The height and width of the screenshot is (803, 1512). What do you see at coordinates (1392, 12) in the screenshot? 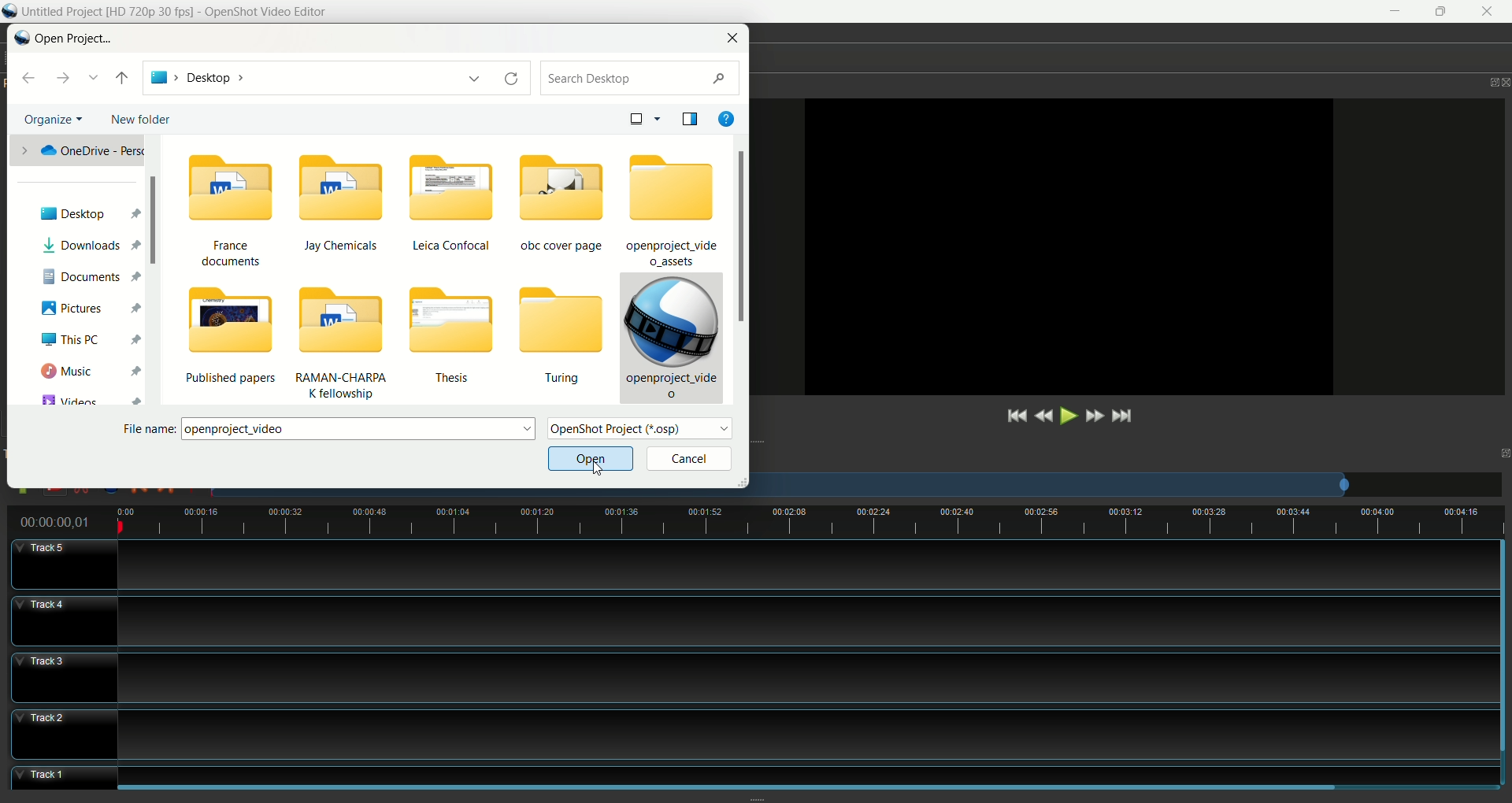
I see `minimize` at bounding box center [1392, 12].